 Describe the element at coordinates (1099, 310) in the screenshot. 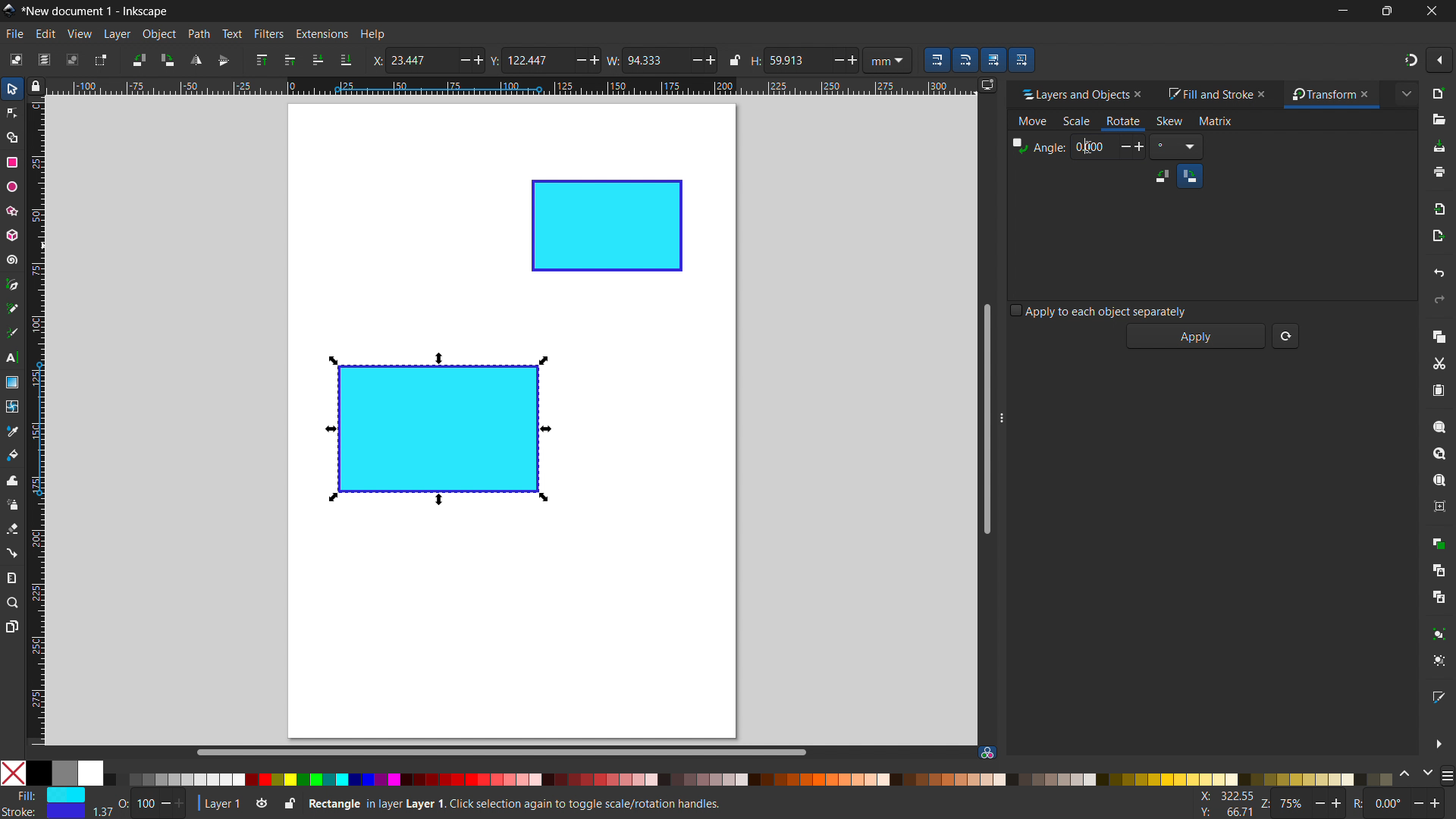

I see `apply to each object separately` at that location.